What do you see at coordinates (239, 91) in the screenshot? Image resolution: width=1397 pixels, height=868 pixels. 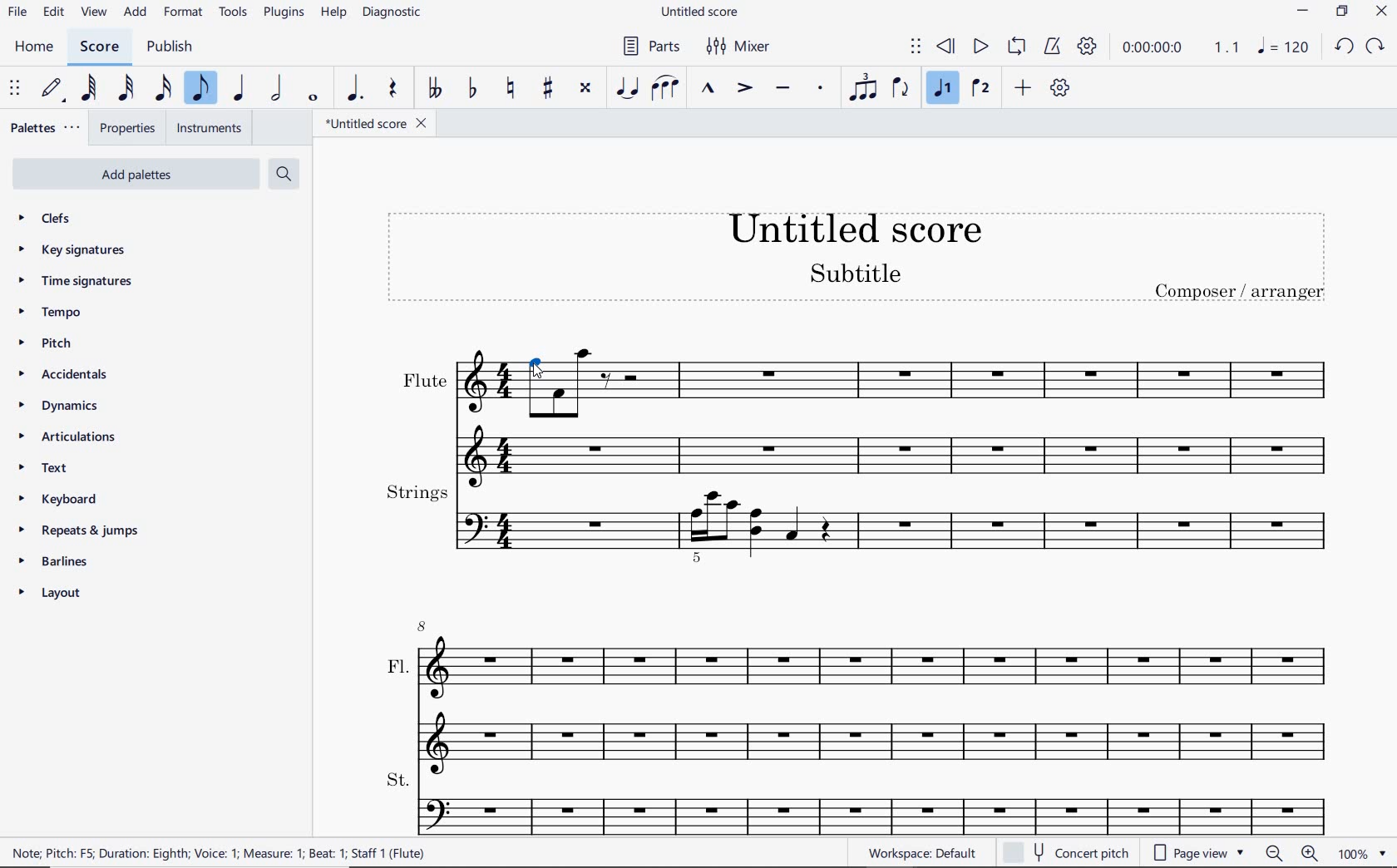 I see `QUARTER NOTE` at bounding box center [239, 91].